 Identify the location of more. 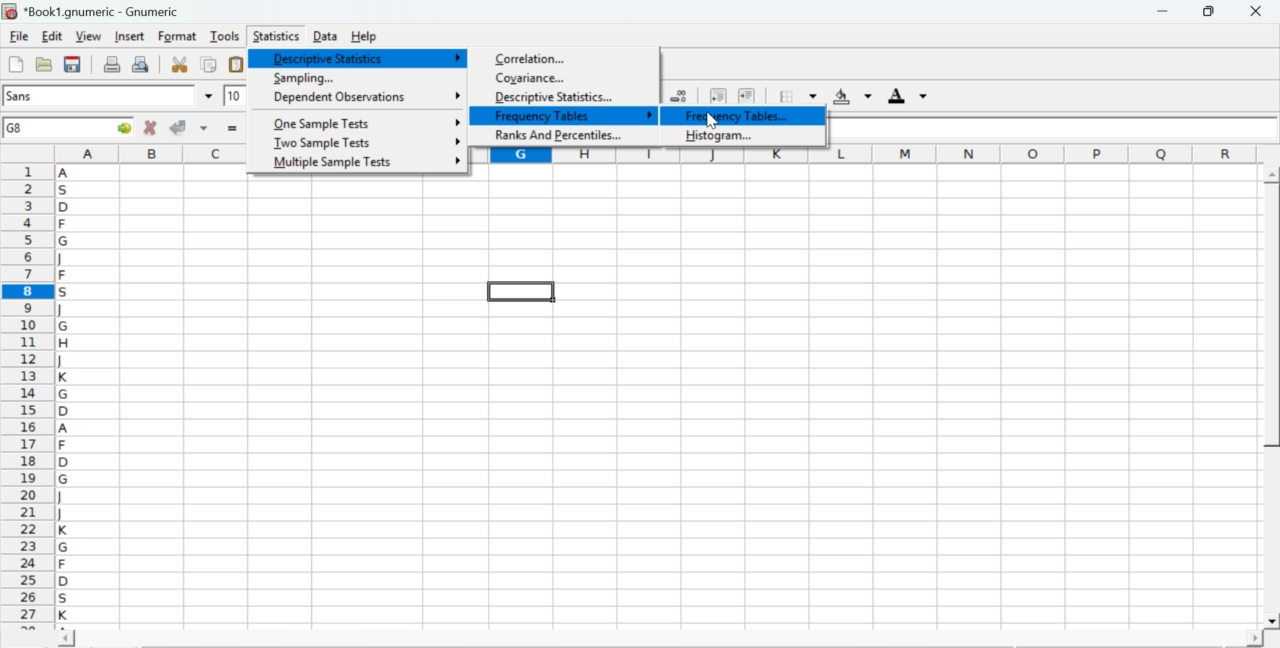
(458, 141).